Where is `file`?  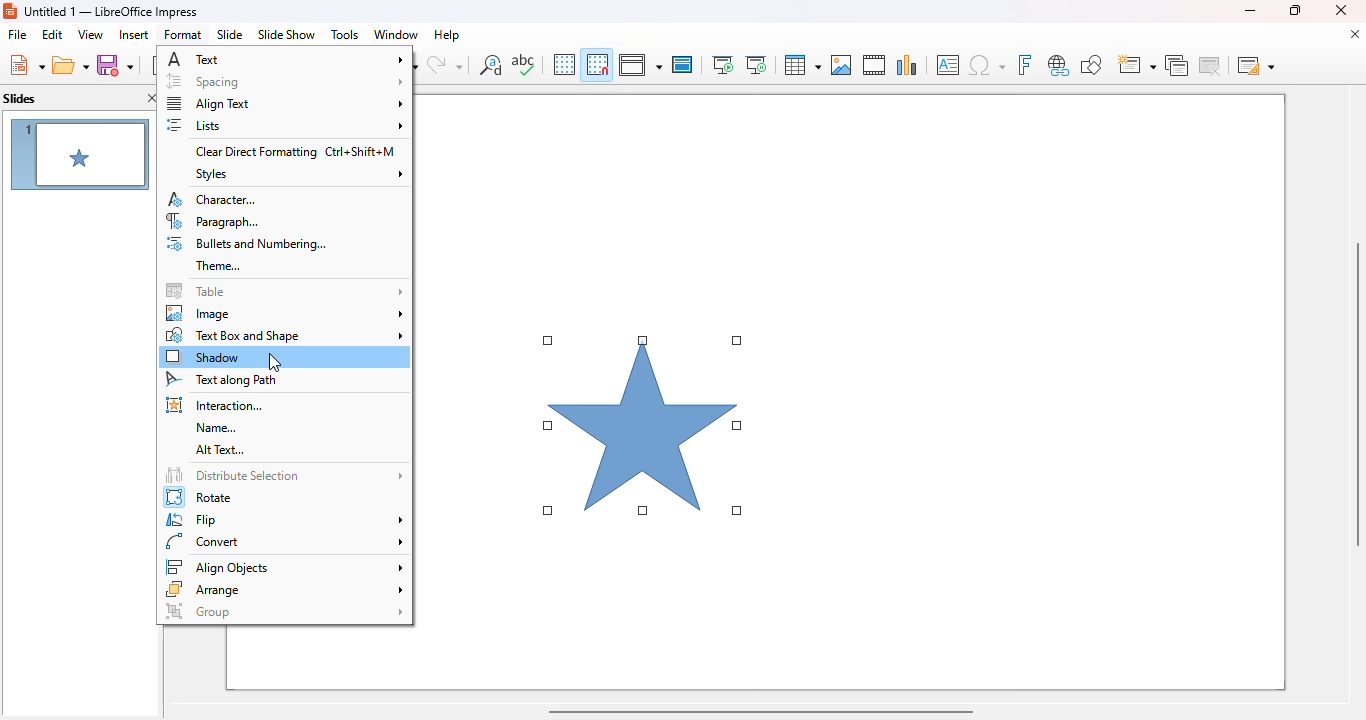 file is located at coordinates (17, 35).